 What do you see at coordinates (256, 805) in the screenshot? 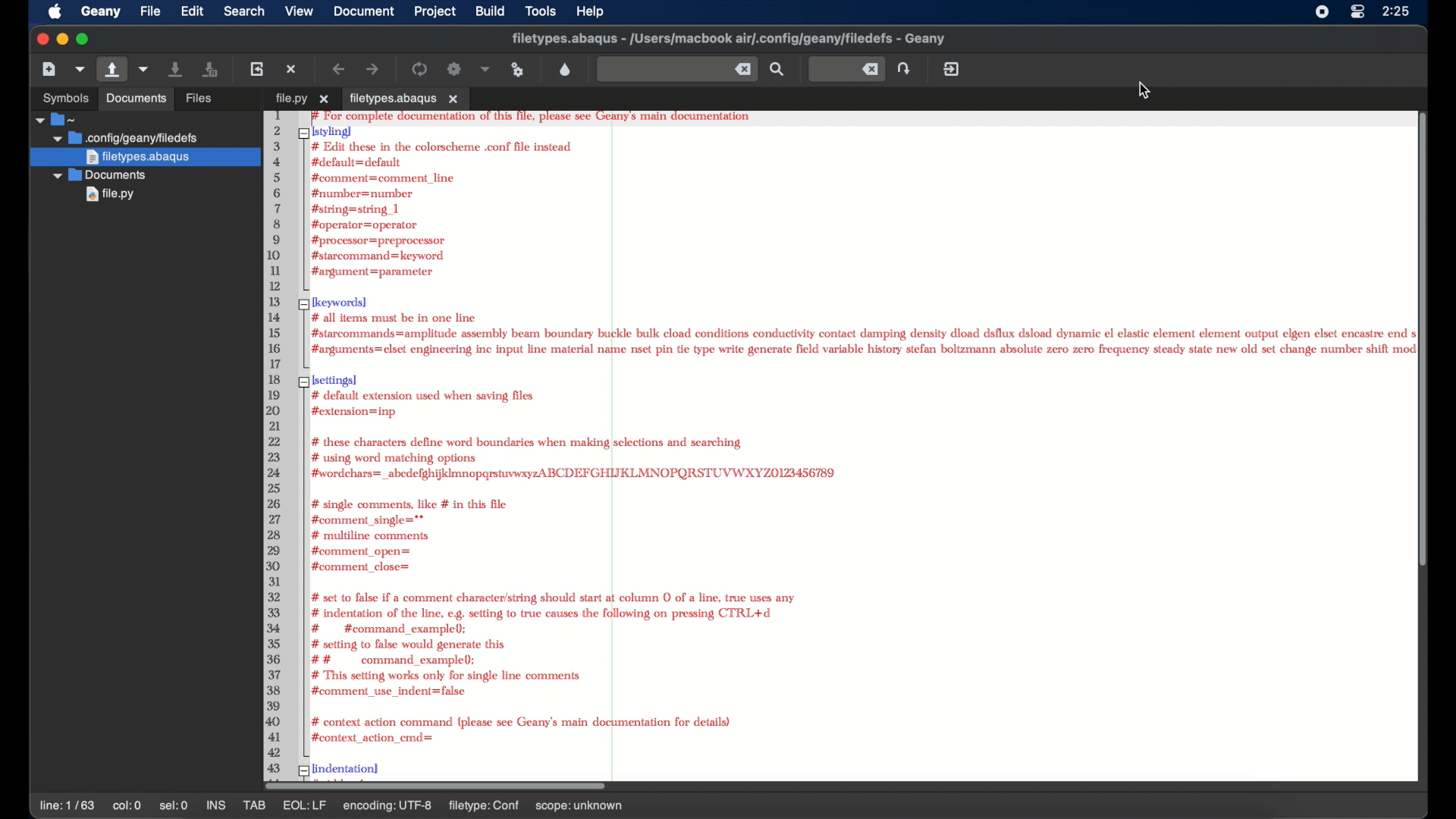
I see `tab` at bounding box center [256, 805].